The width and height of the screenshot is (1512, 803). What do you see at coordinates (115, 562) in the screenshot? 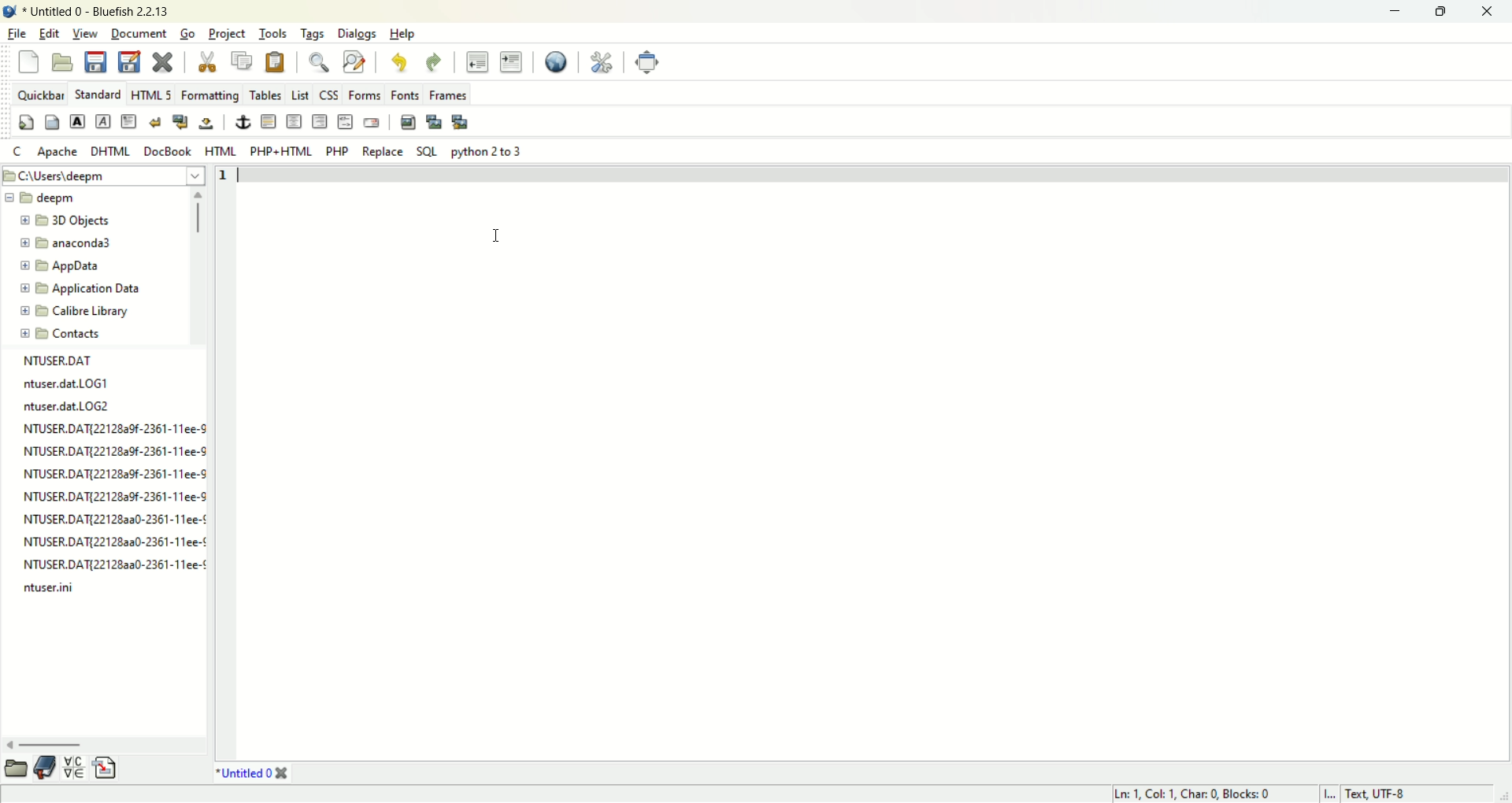
I see `NTUSER.DAT{221282a0-2361-11ee-¢` at bounding box center [115, 562].